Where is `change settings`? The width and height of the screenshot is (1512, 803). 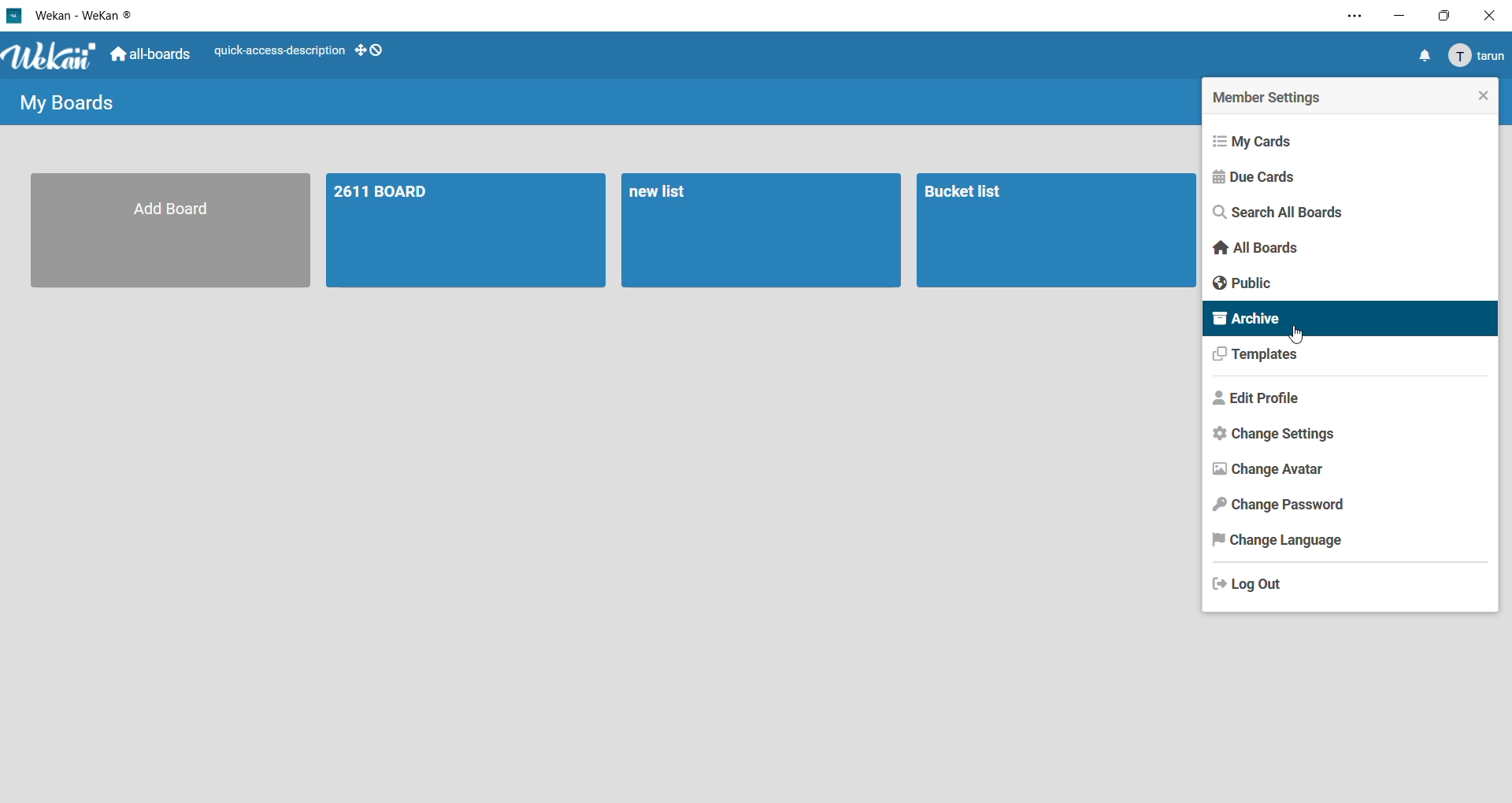 change settings is located at coordinates (1278, 435).